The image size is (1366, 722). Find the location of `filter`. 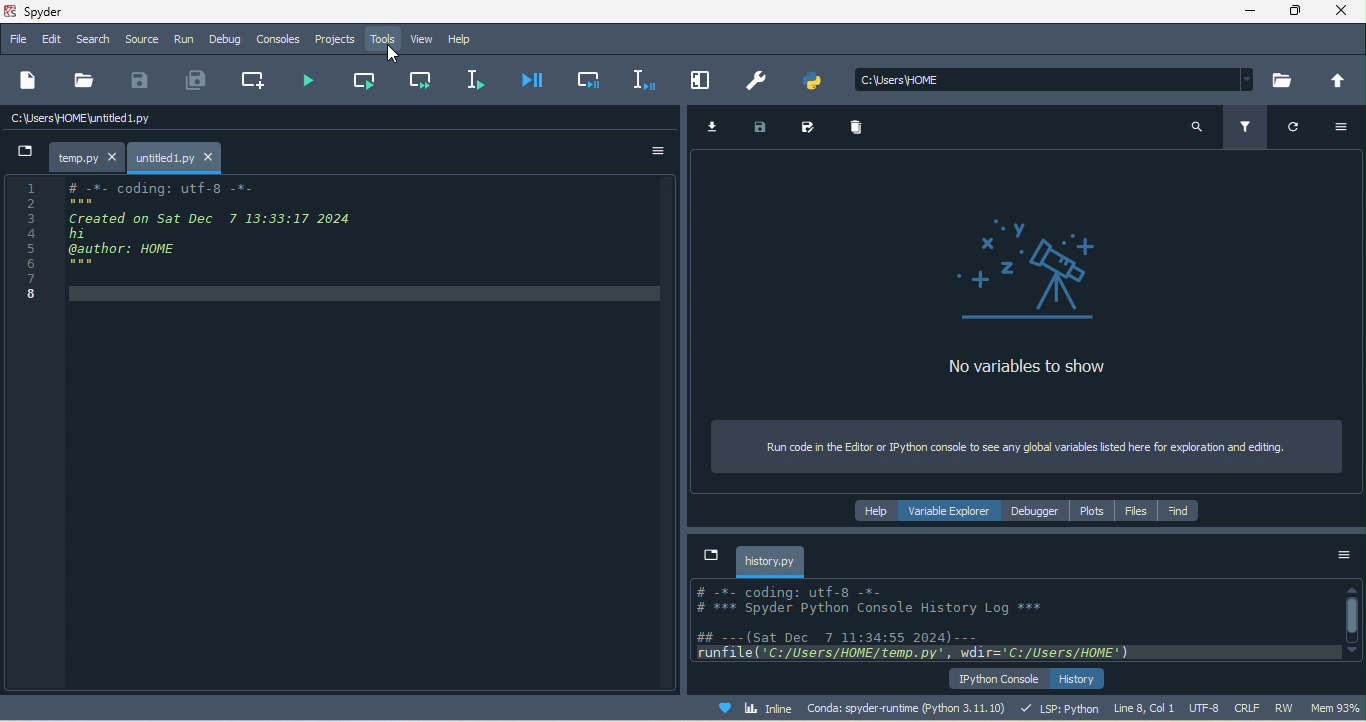

filter is located at coordinates (1248, 128).